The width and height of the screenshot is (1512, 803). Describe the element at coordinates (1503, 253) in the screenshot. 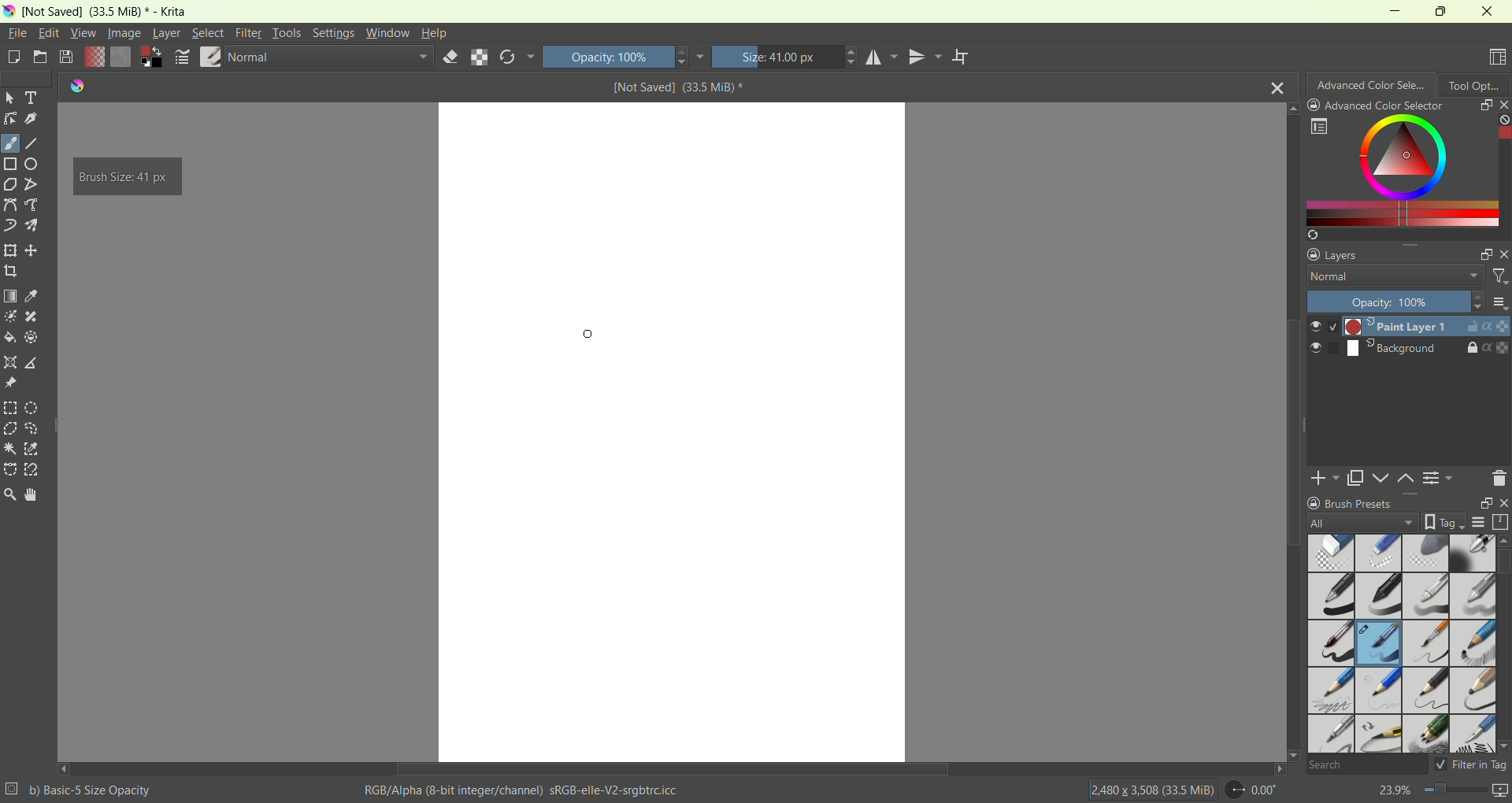

I see `close docker` at that location.